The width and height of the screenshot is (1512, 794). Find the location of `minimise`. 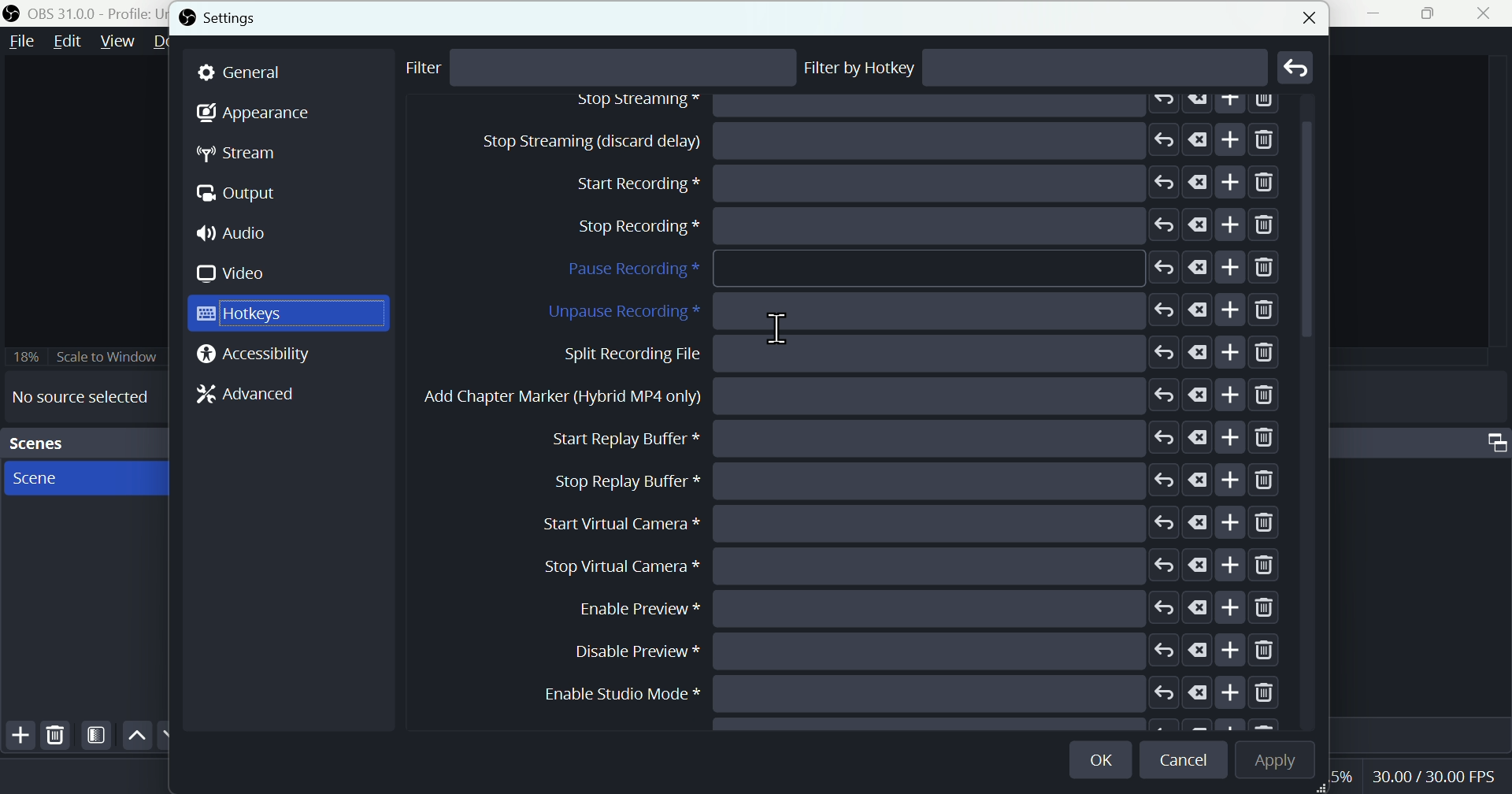

minimise is located at coordinates (1380, 13).